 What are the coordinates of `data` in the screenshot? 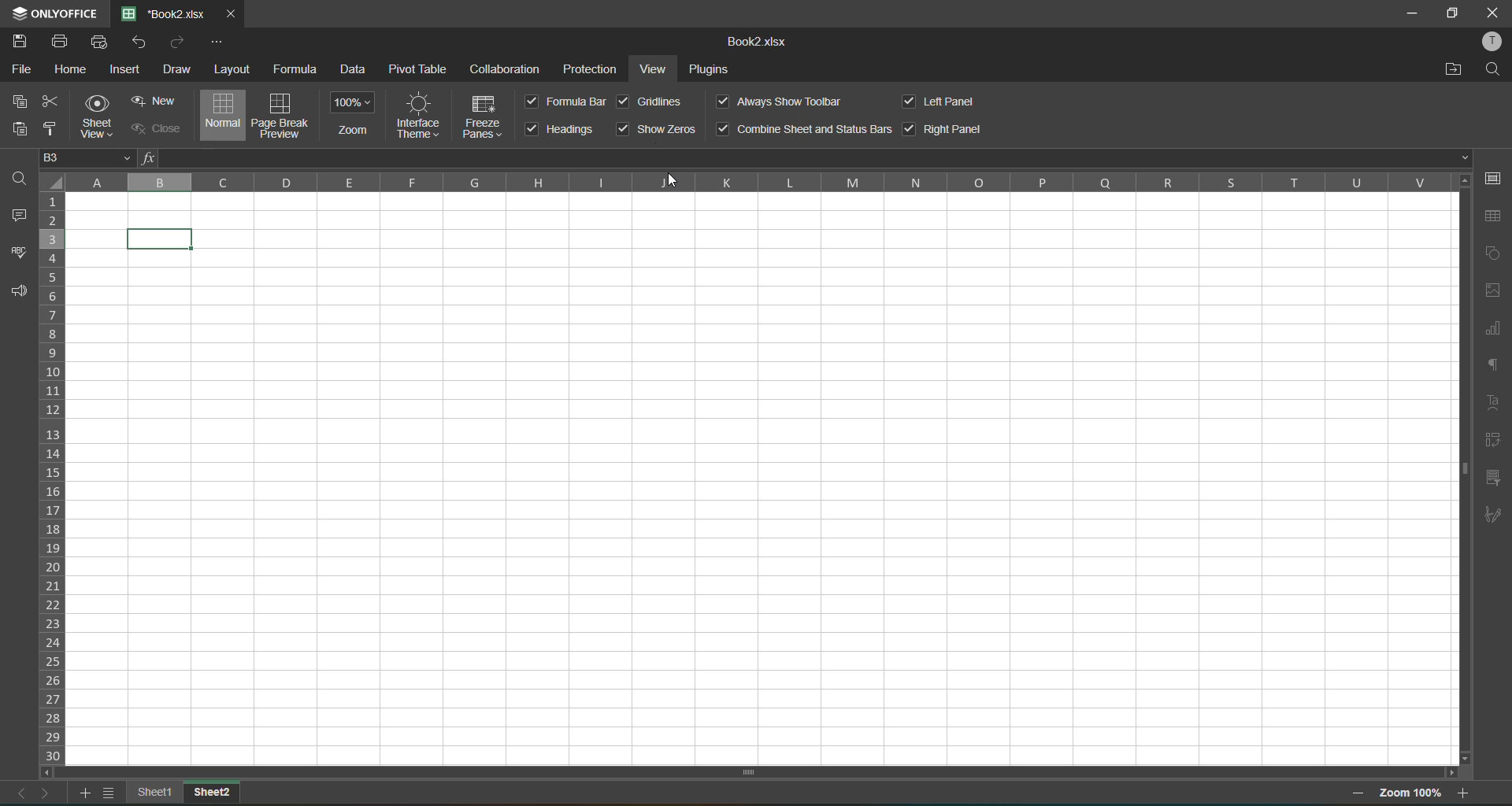 It's located at (358, 71).